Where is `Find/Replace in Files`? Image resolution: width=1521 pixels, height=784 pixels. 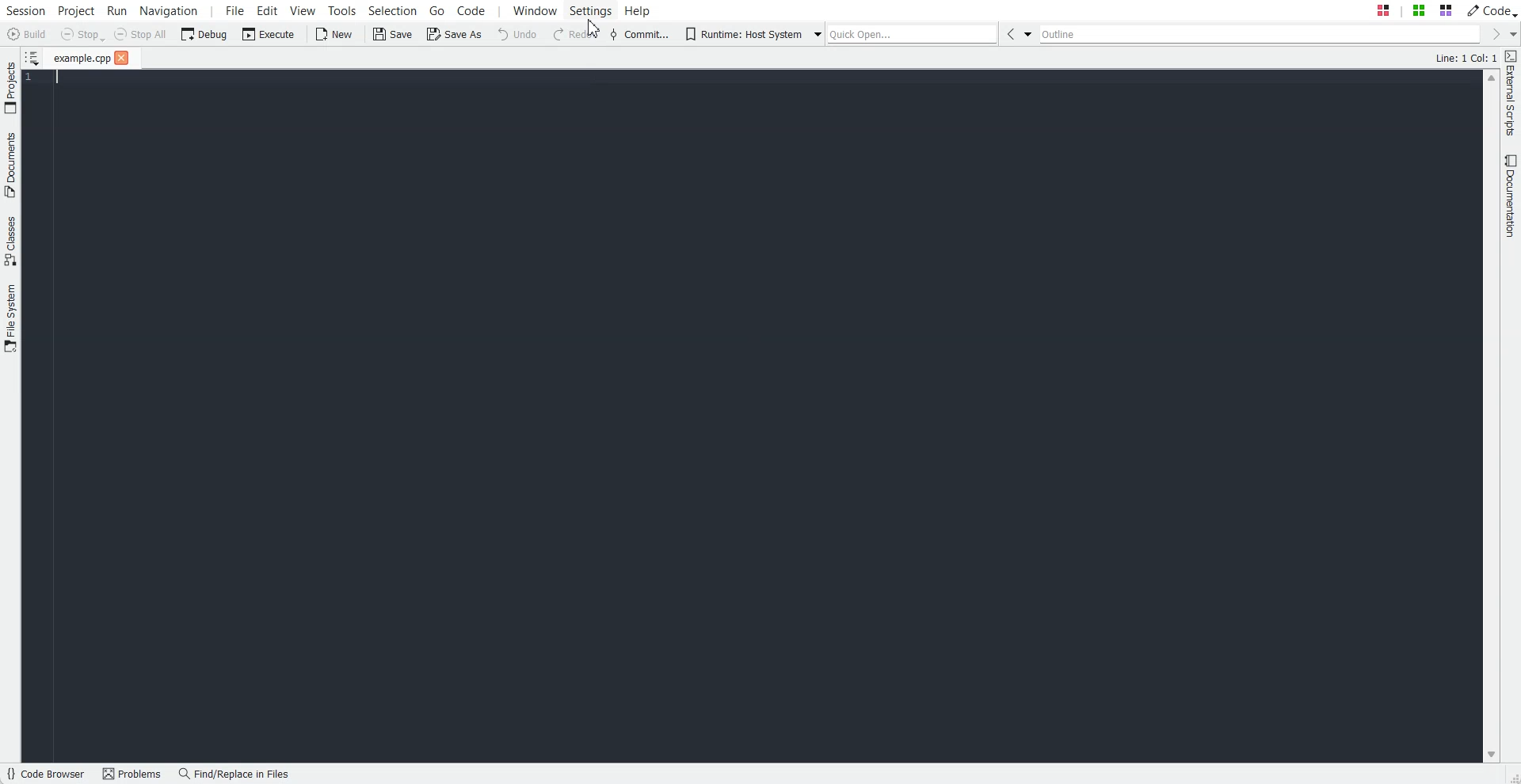 Find/Replace in Files is located at coordinates (235, 774).